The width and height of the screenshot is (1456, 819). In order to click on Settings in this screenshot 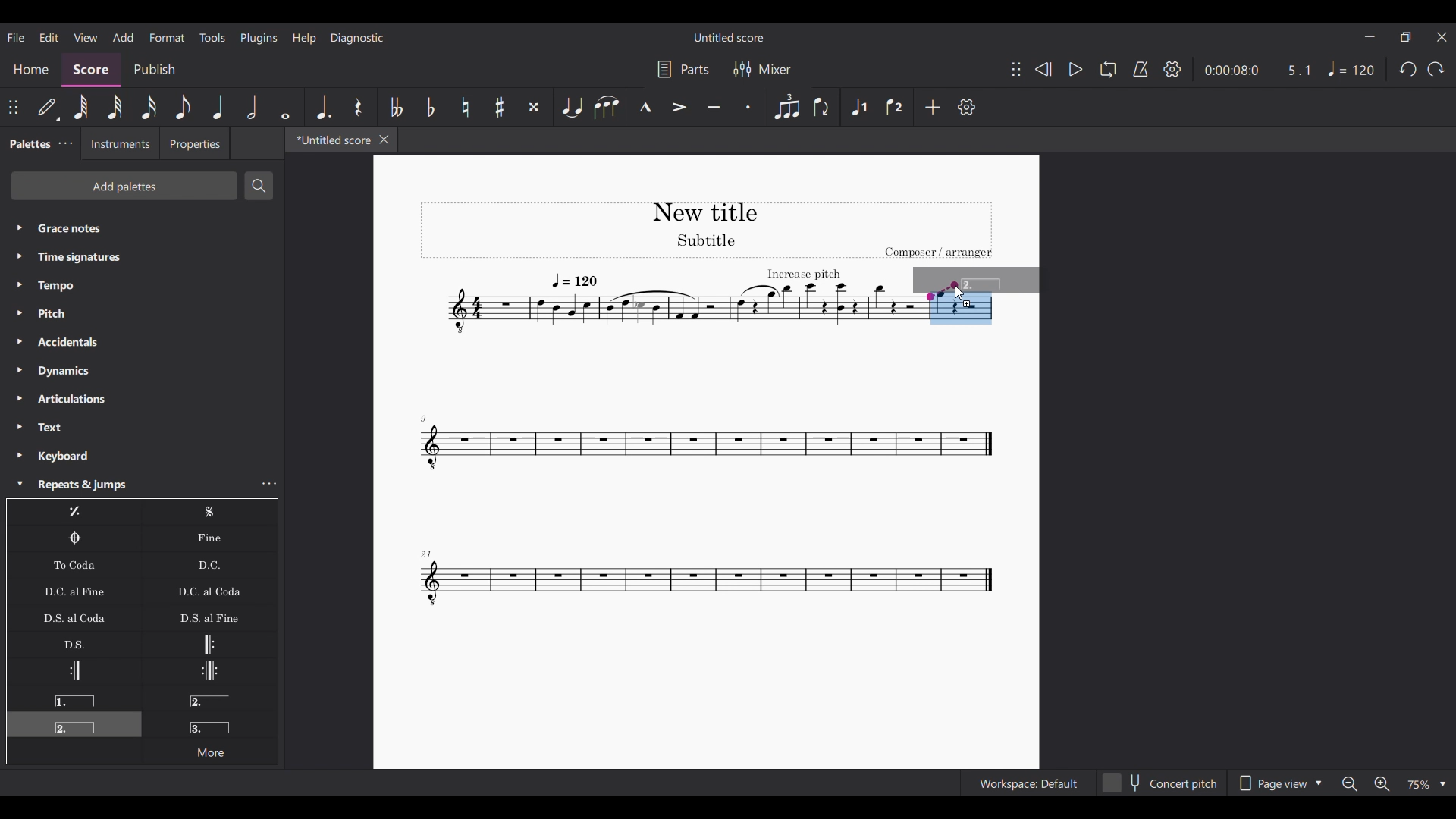, I will do `click(967, 107)`.